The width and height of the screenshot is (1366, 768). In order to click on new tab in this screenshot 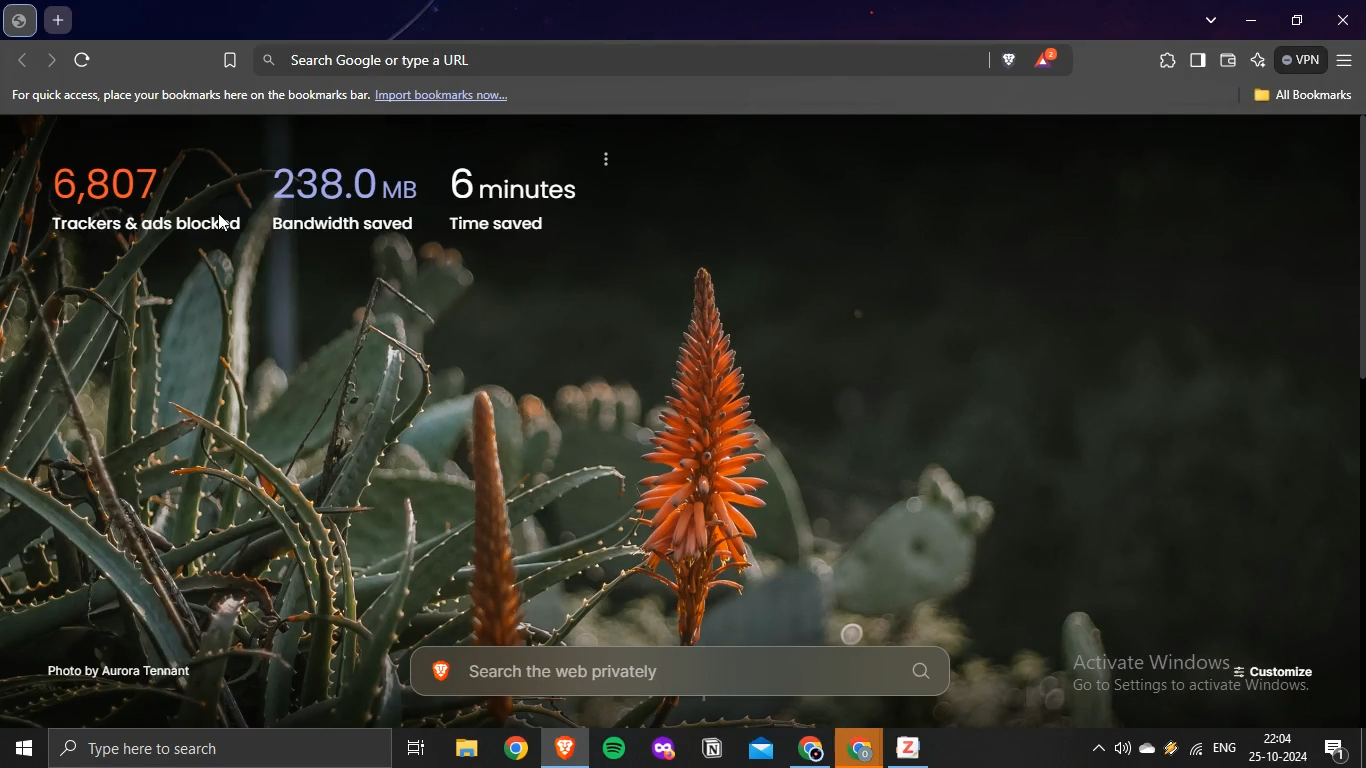, I will do `click(61, 17)`.